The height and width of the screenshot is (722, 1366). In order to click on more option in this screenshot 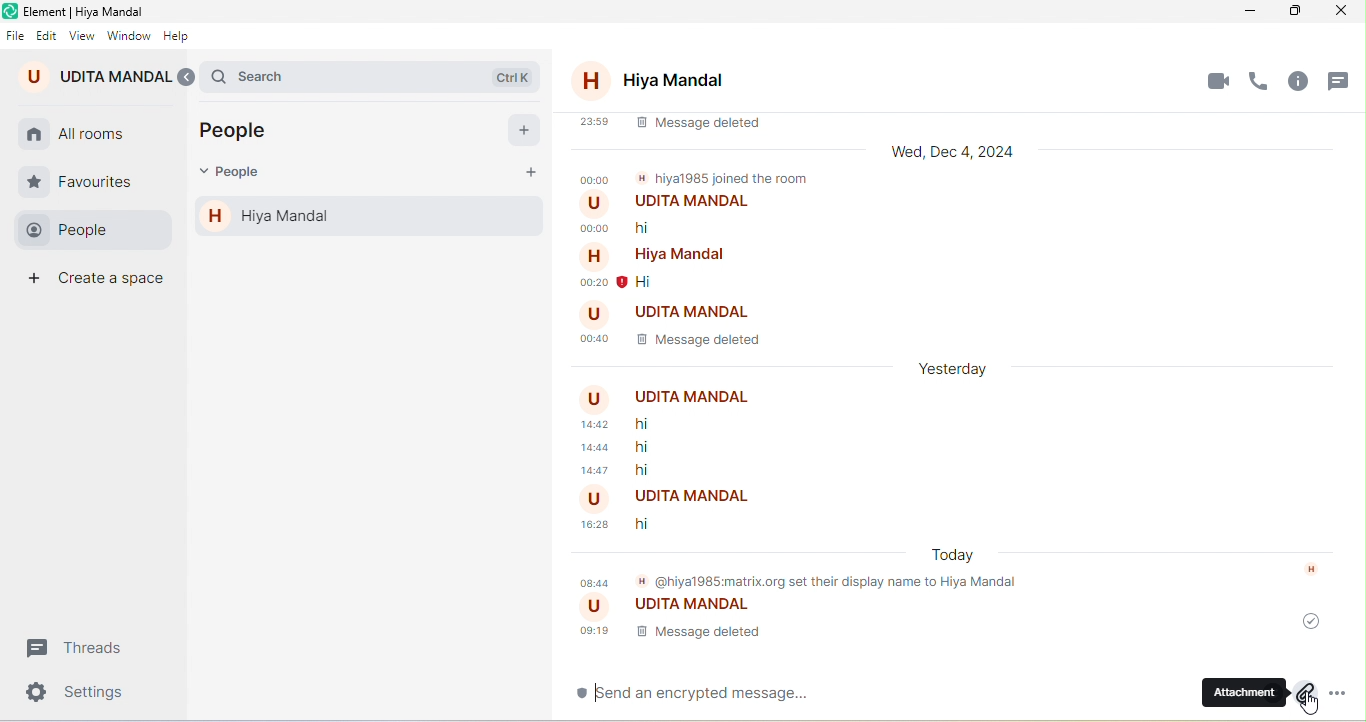, I will do `click(1347, 693)`.